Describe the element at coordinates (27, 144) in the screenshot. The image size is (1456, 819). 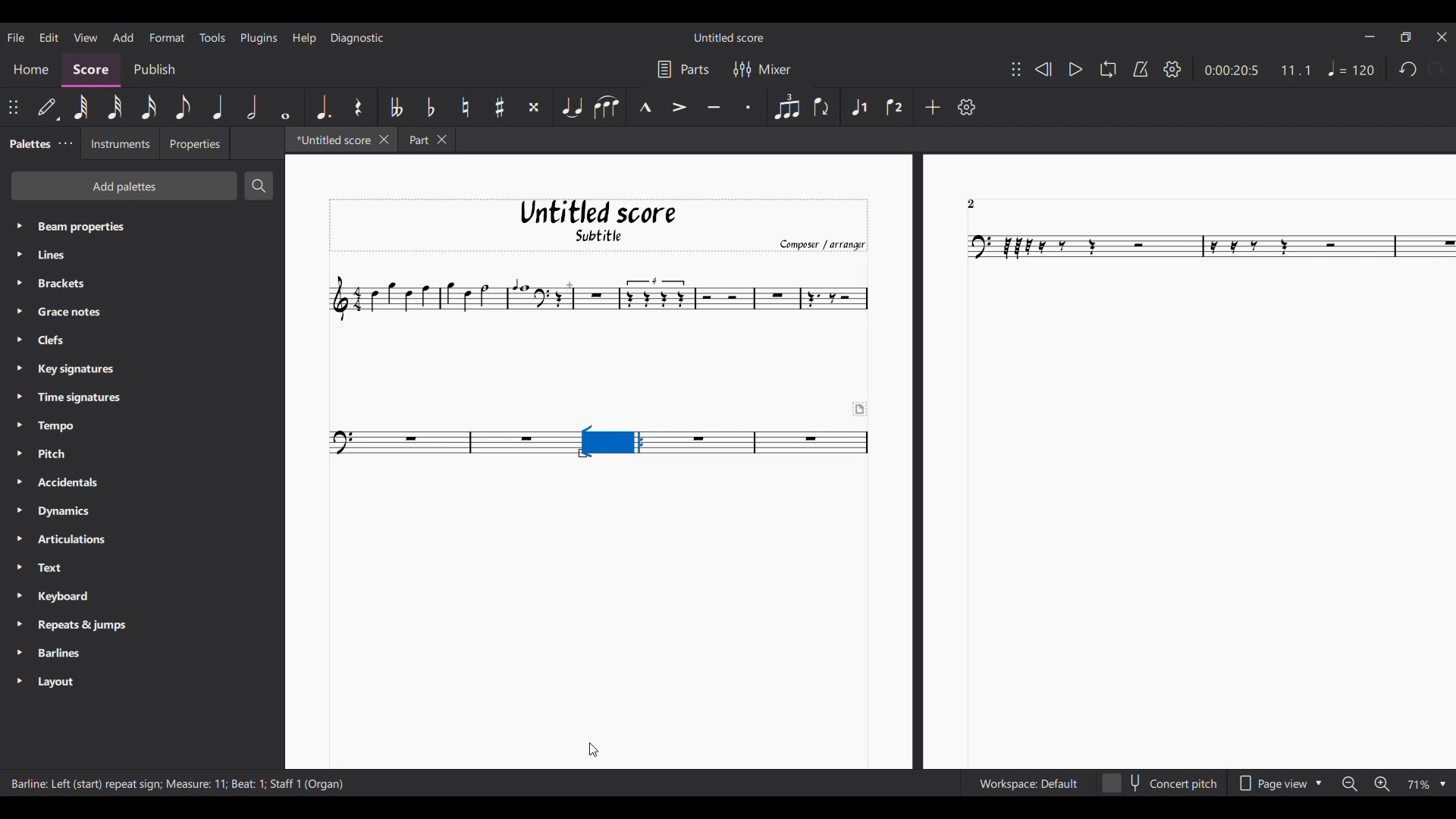
I see `Palette tab, current selection` at that location.